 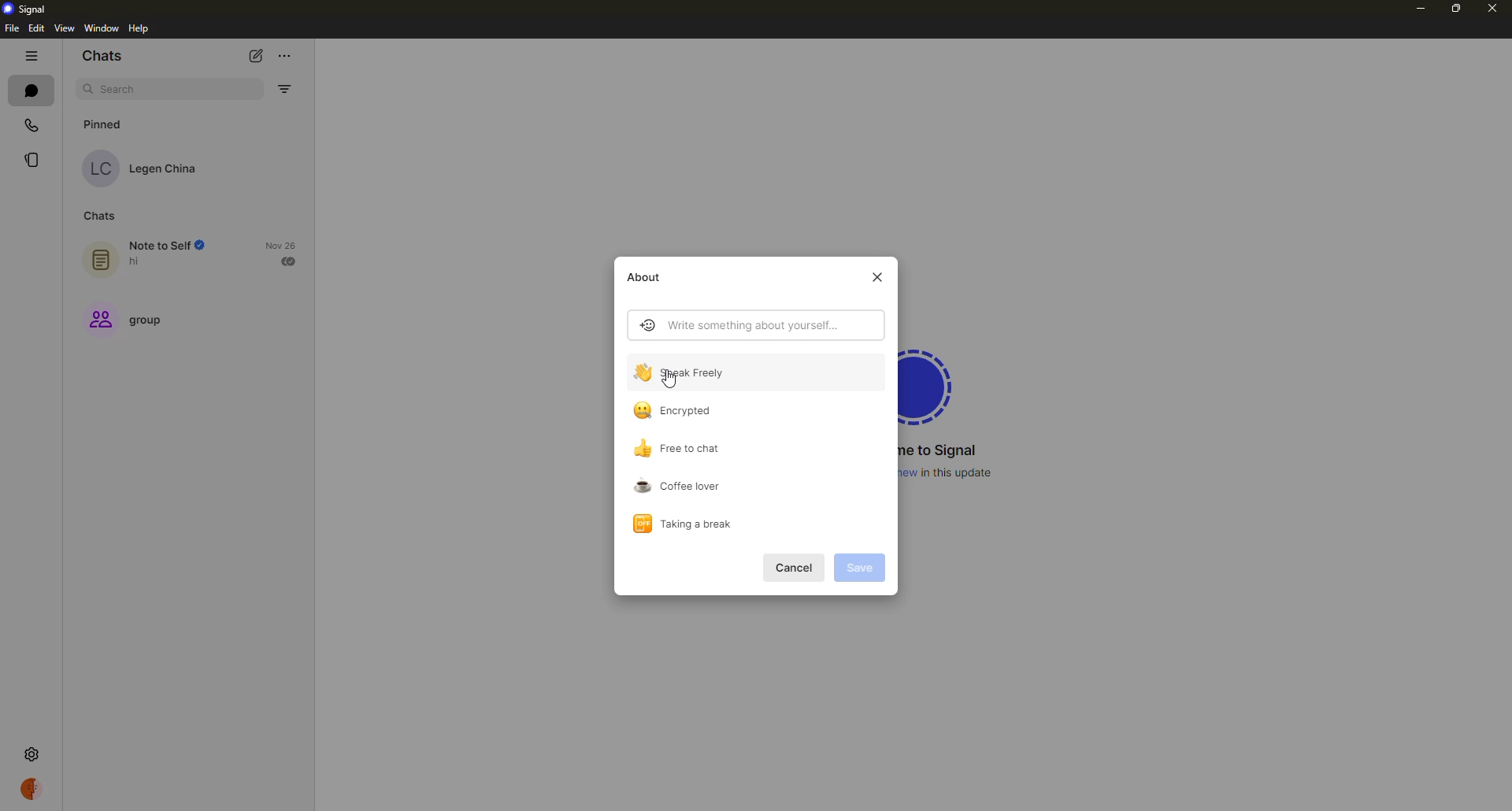 What do you see at coordinates (678, 484) in the screenshot?
I see `coffee lover` at bounding box center [678, 484].